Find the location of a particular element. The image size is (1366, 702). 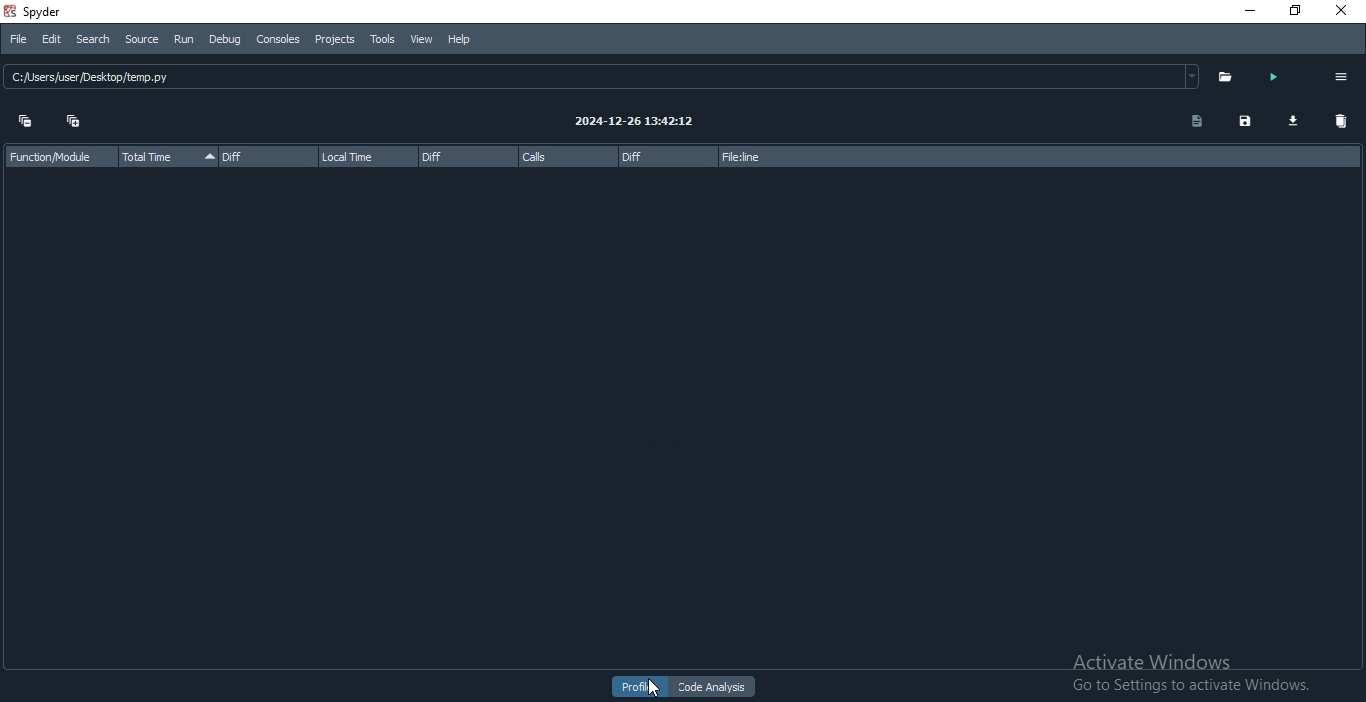

open folder is located at coordinates (1229, 74).